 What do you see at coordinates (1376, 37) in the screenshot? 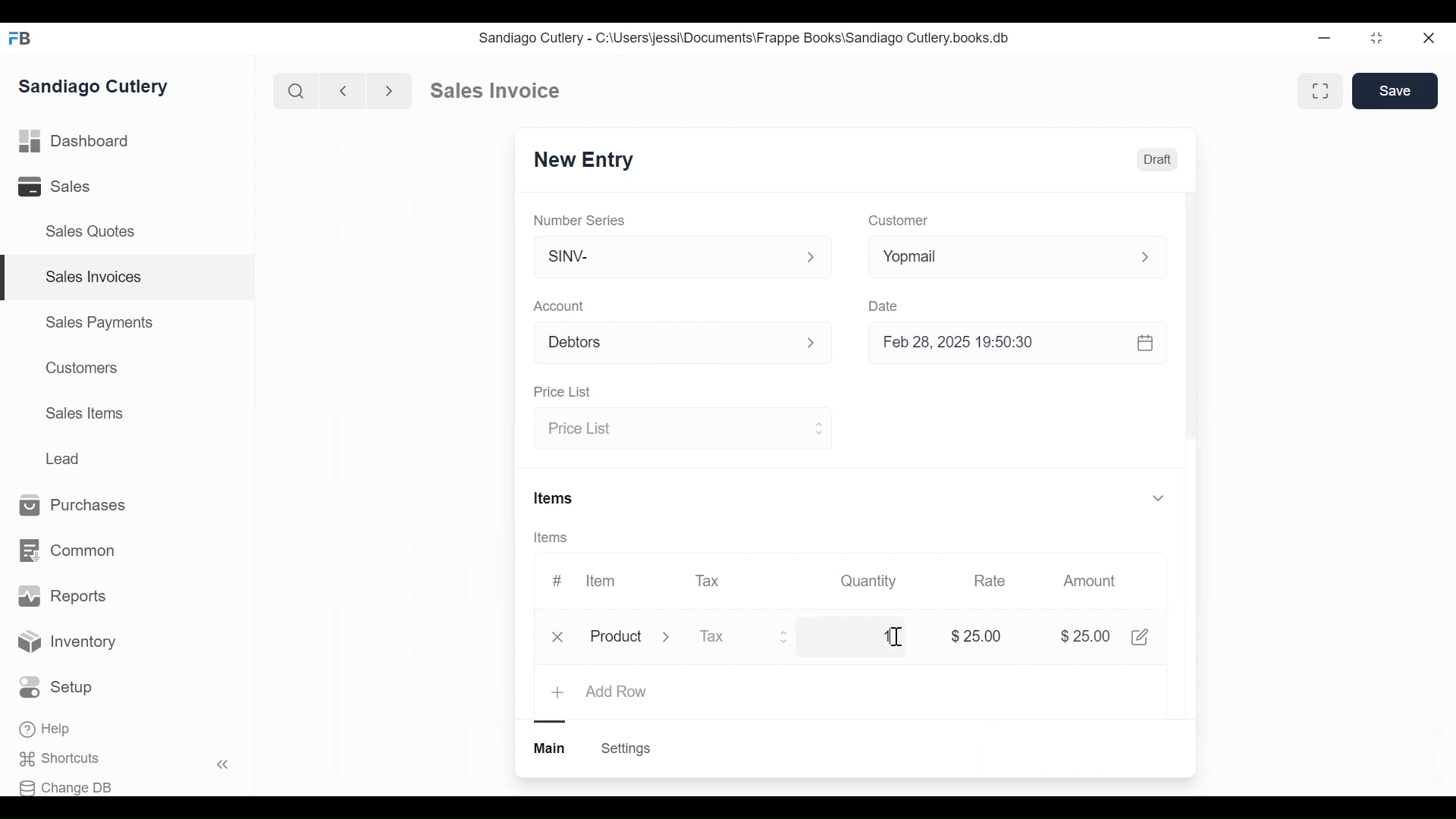
I see `restore` at bounding box center [1376, 37].